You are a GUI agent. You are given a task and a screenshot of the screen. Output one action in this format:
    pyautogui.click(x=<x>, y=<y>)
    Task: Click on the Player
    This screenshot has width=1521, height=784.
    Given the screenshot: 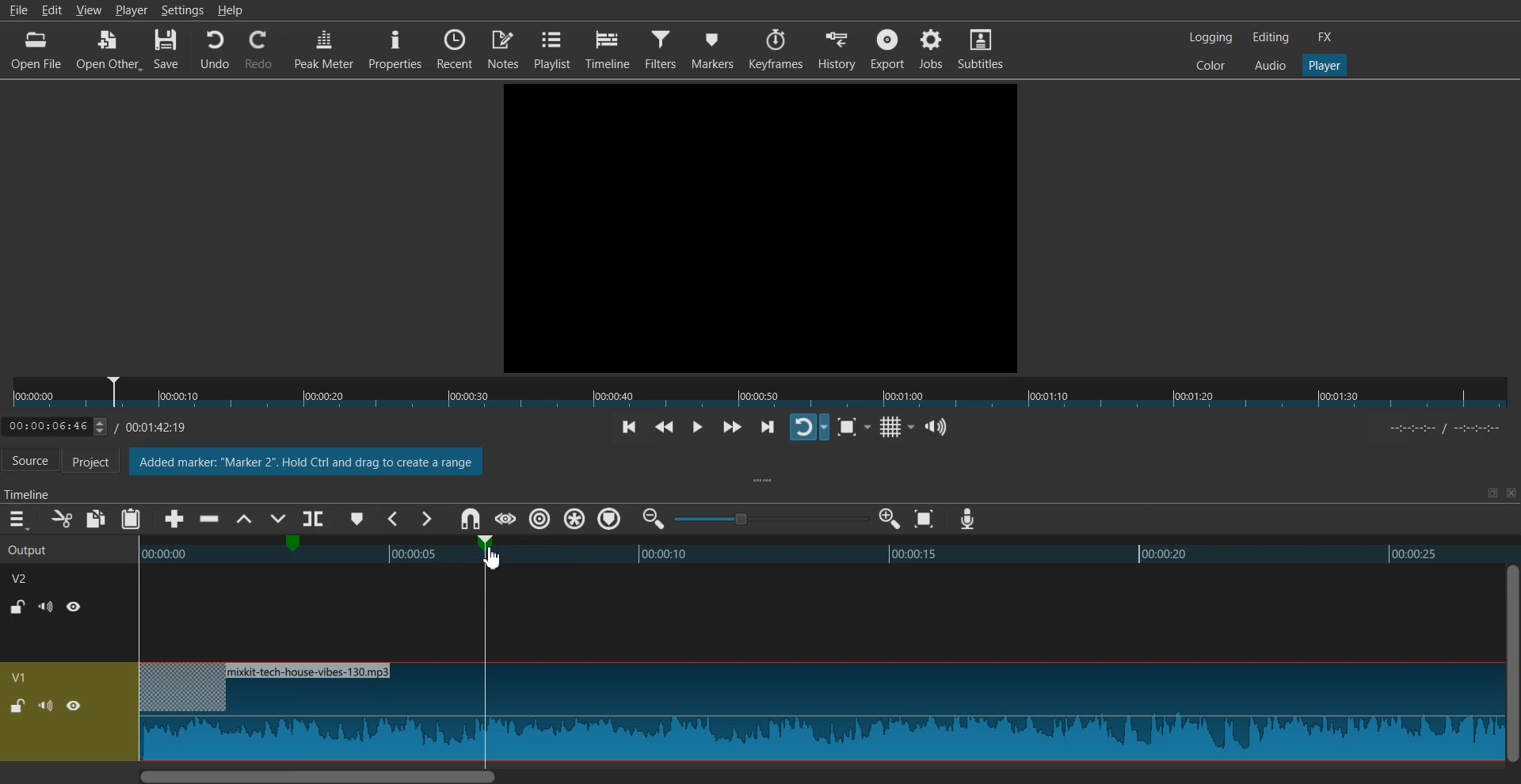 What is the action you would take?
    pyautogui.click(x=132, y=10)
    